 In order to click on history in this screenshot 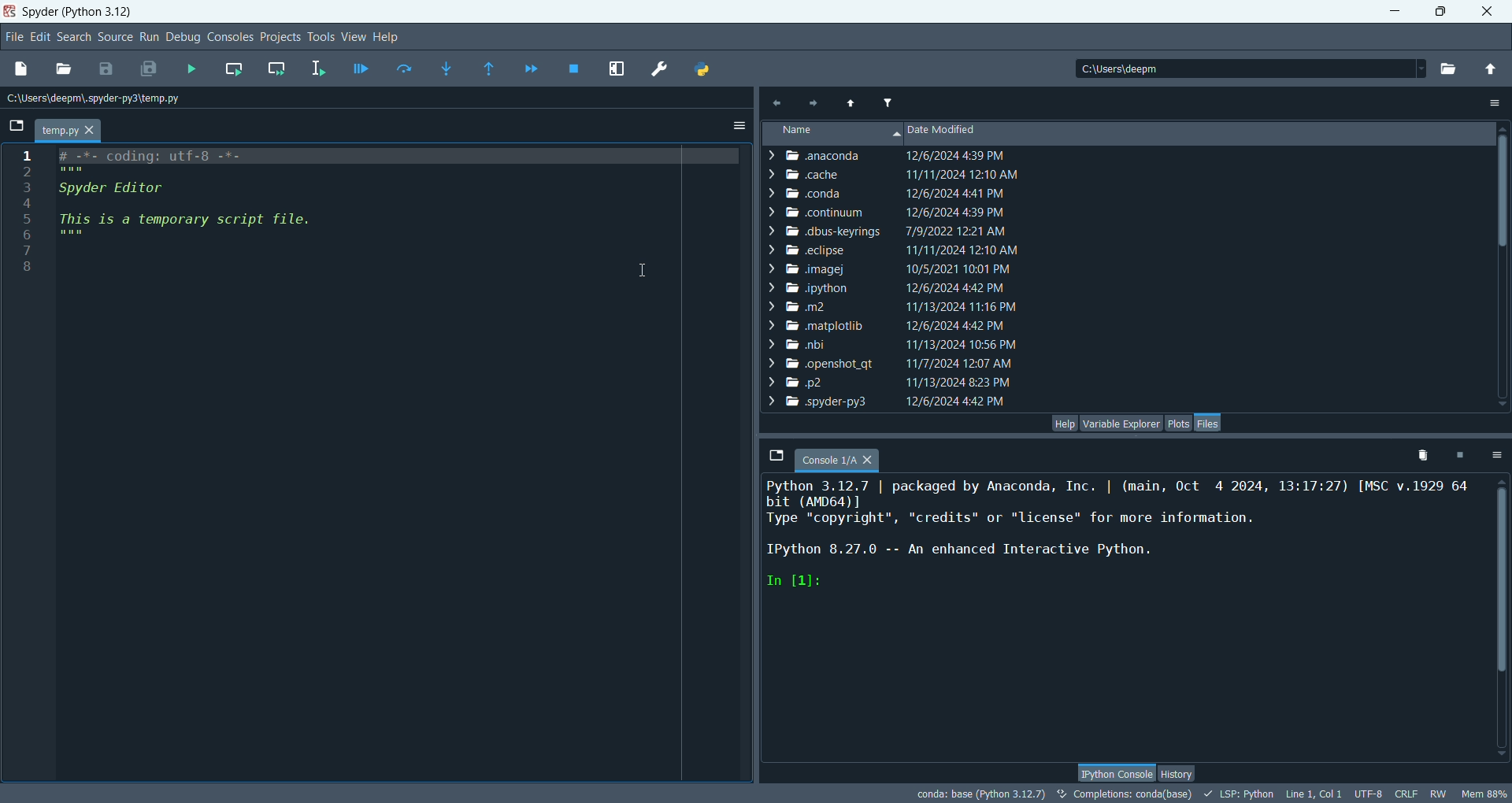, I will do `click(1177, 774)`.